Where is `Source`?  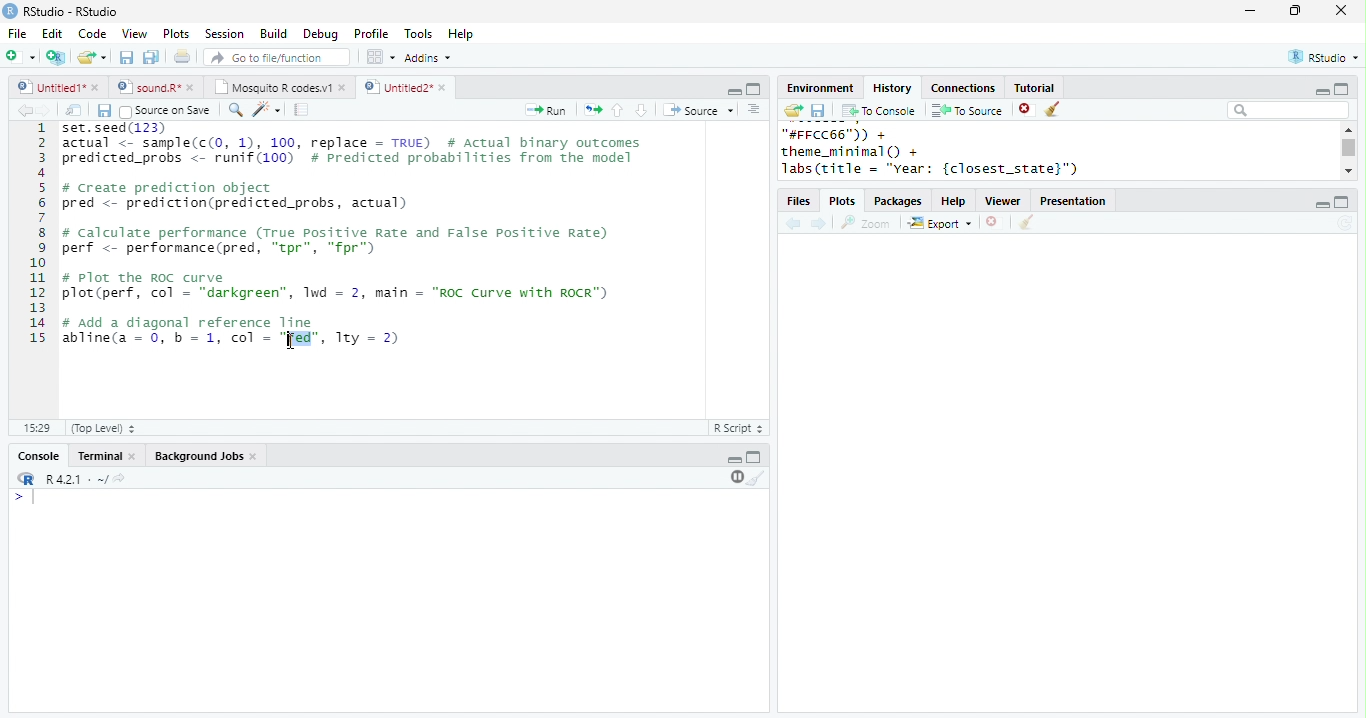 Source is located at coordinates (700, 110).